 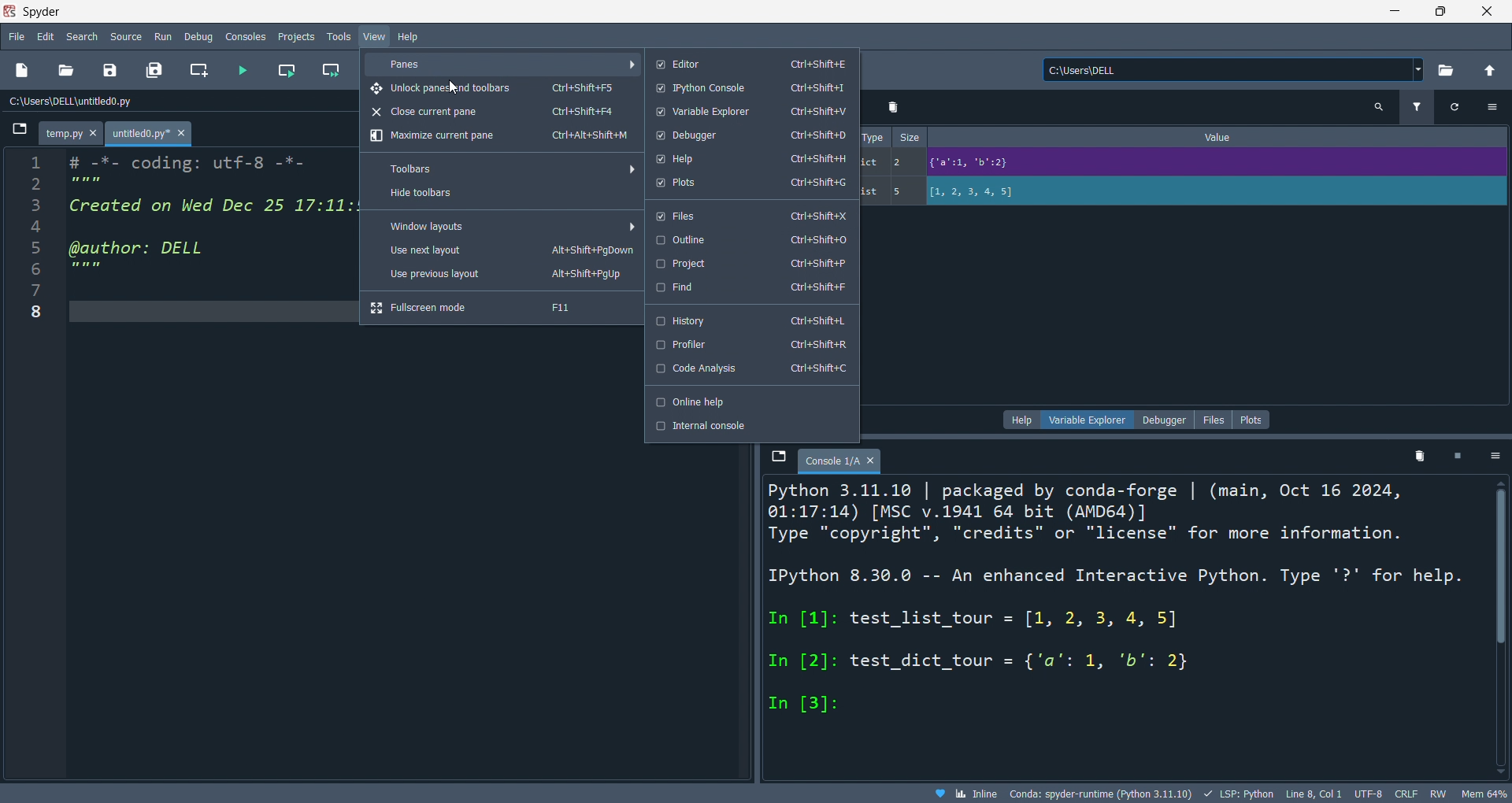 I want to click on search, so click(x=83, y=36).